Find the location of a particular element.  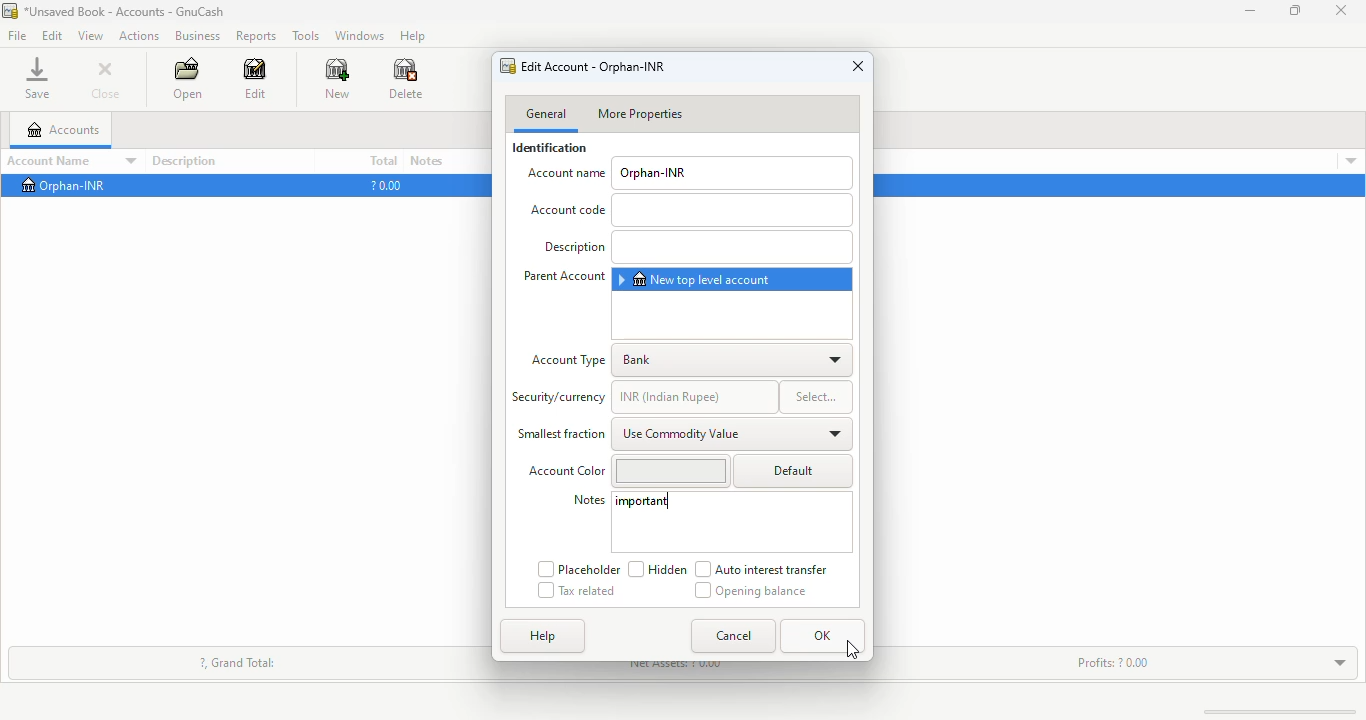

close is located at coordinates (1341, 10).